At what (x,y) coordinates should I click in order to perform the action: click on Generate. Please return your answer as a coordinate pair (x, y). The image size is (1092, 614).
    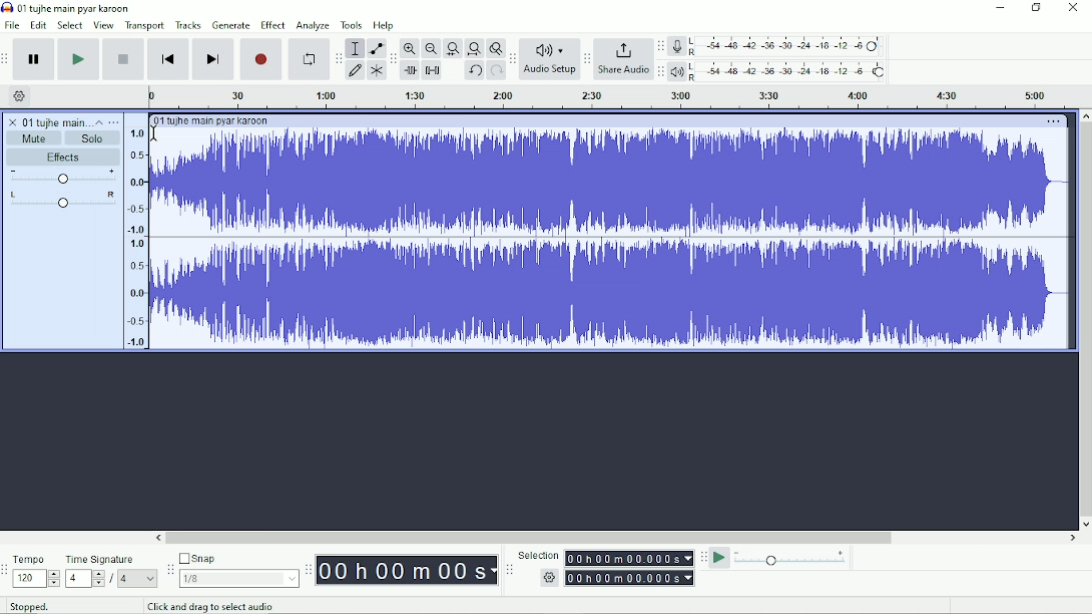
    Looking at the image, I should click on (231, 25).